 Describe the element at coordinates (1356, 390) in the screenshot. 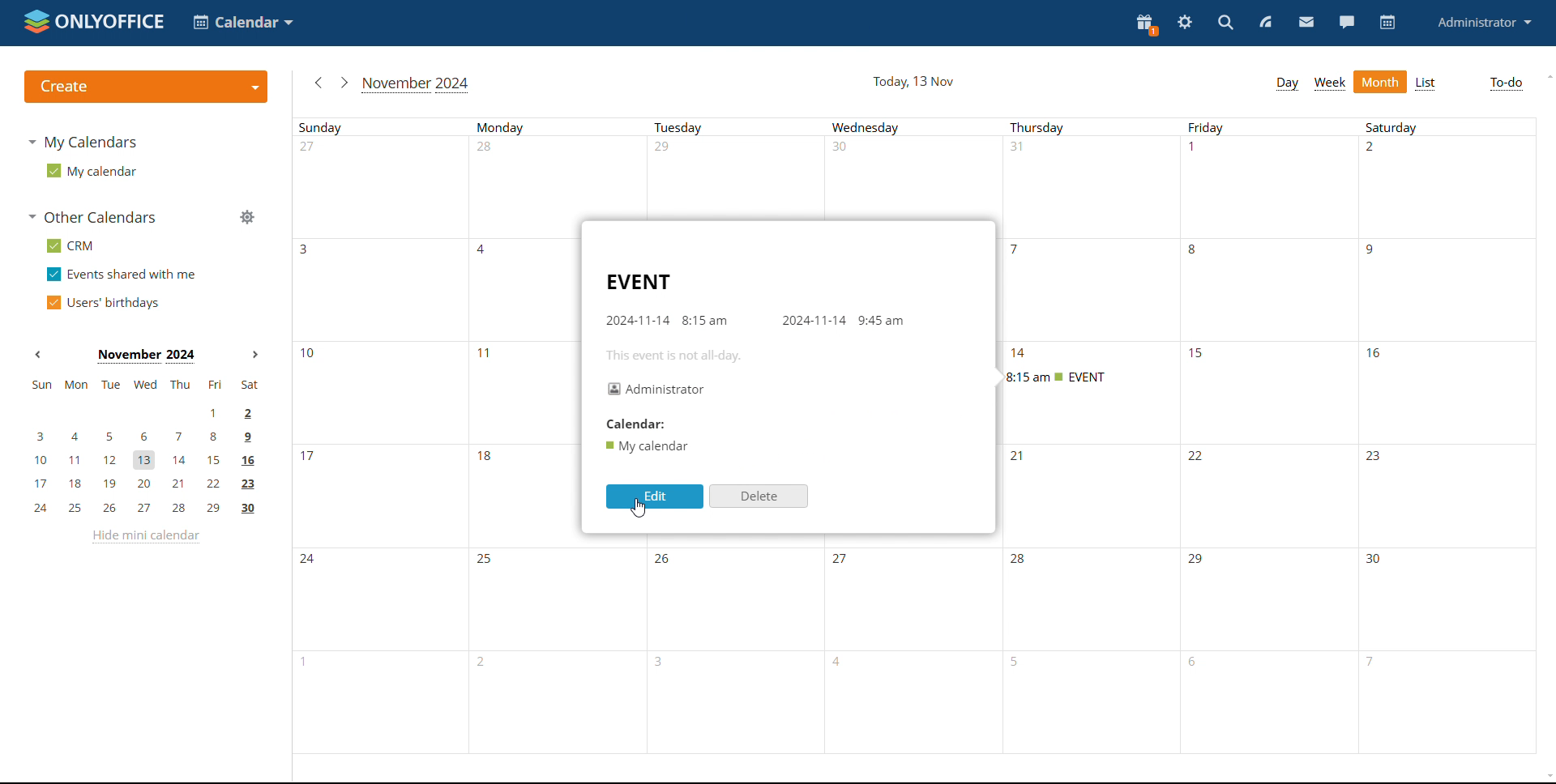

I see `unallocated time slots` at that location.